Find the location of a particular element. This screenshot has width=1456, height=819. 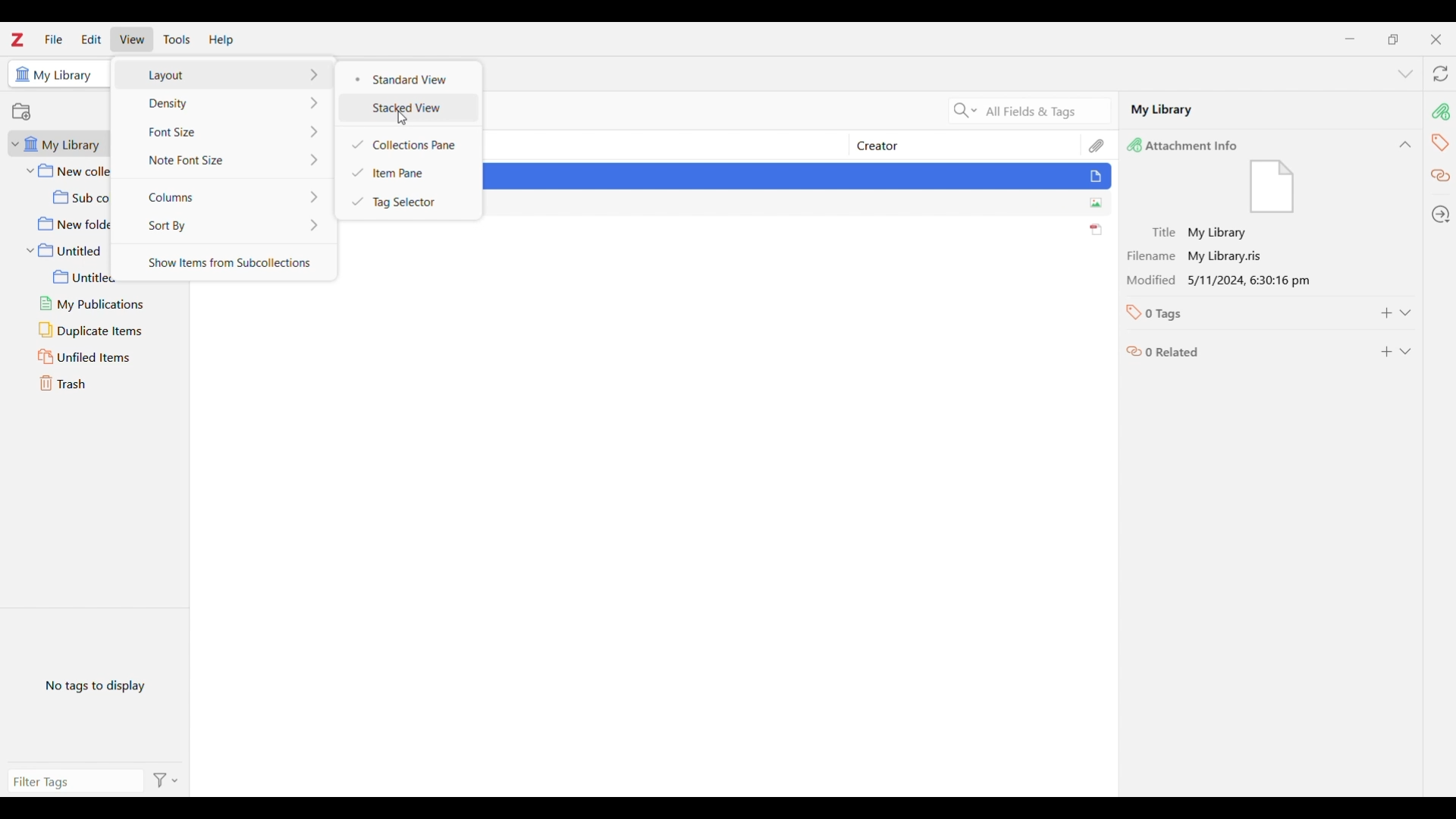

Filename of selected file is located at coordinates (1191, 256).